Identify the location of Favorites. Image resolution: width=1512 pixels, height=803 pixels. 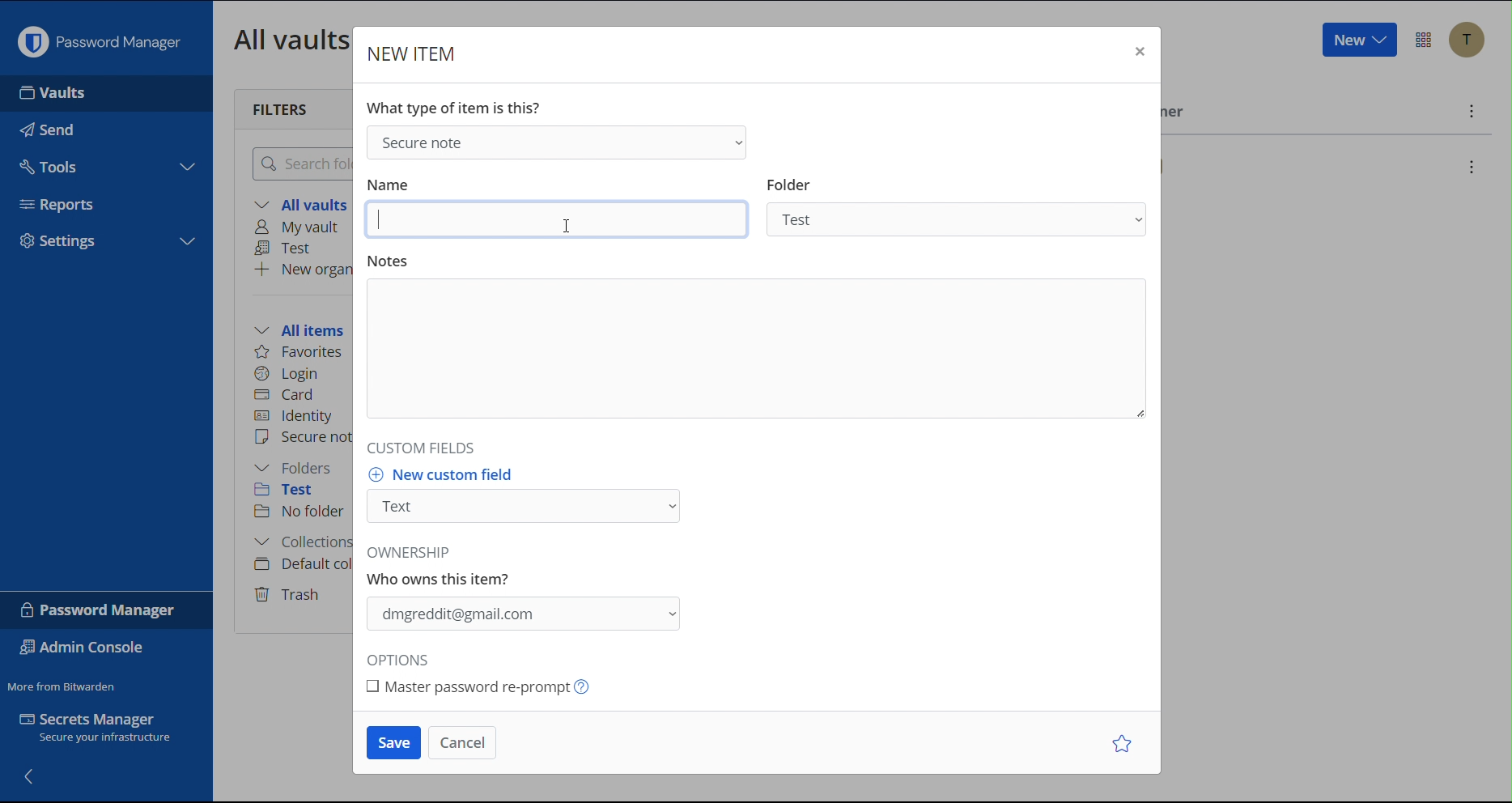
(300, 352).